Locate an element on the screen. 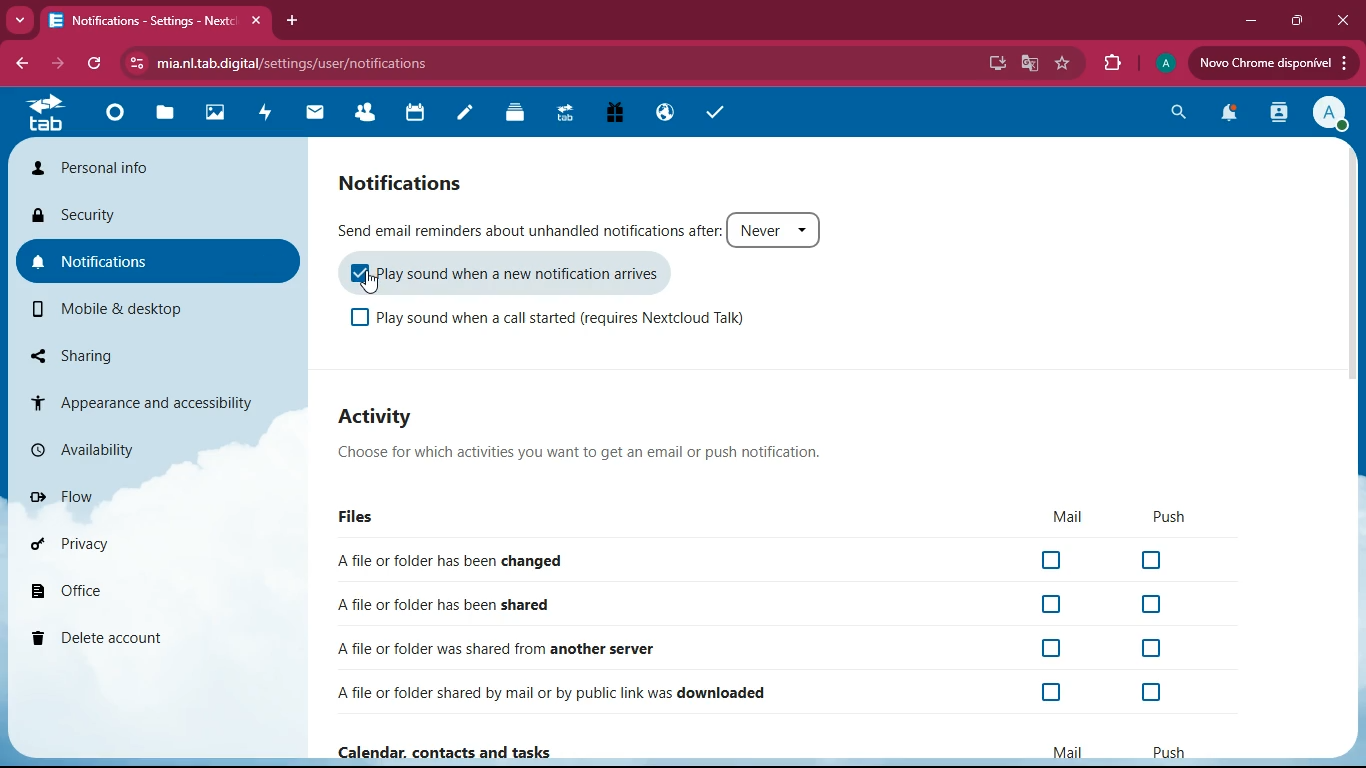  office is located at coordinates (116, 591).